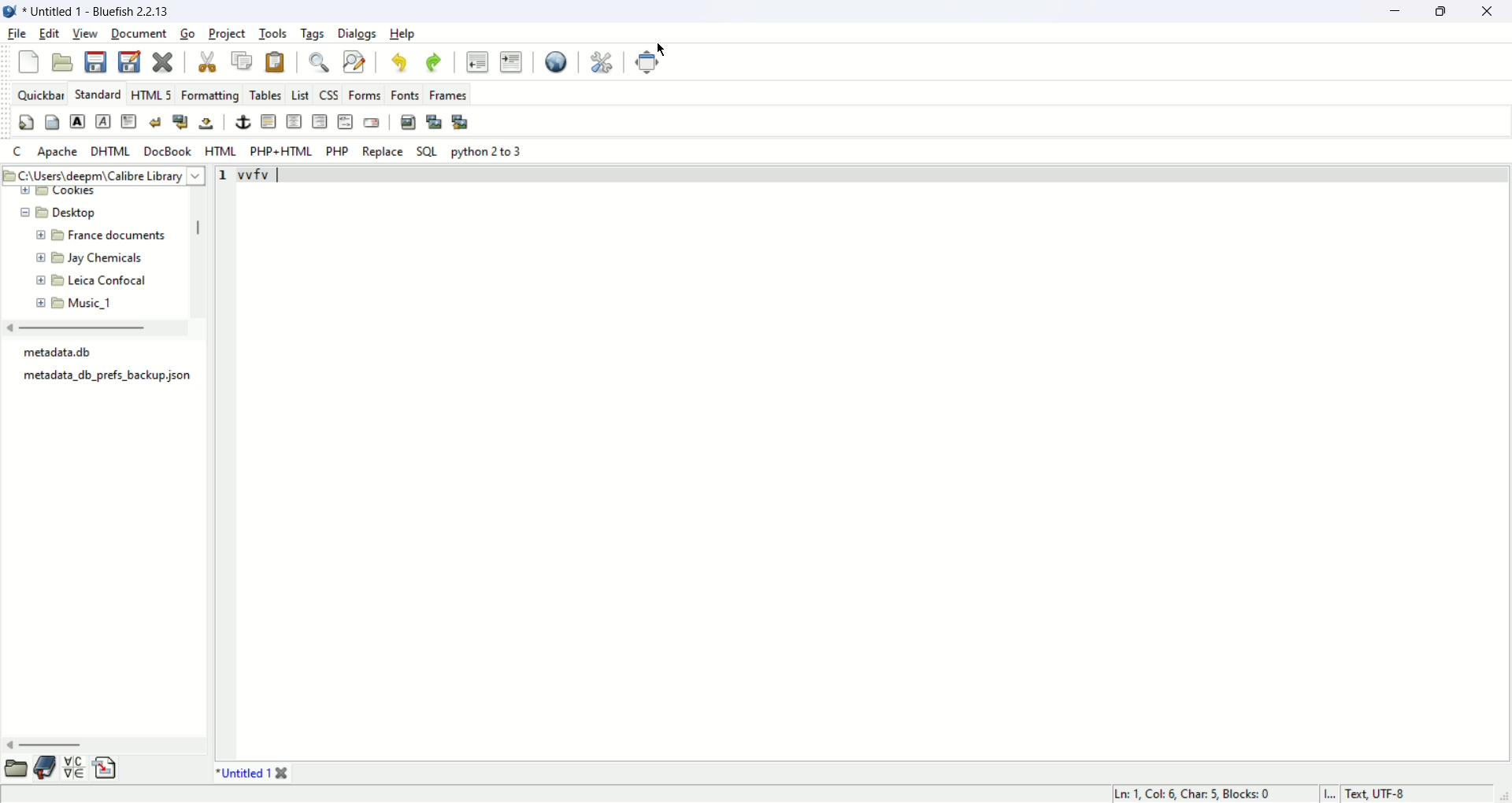  I want to click on copy, so click(241, 61).